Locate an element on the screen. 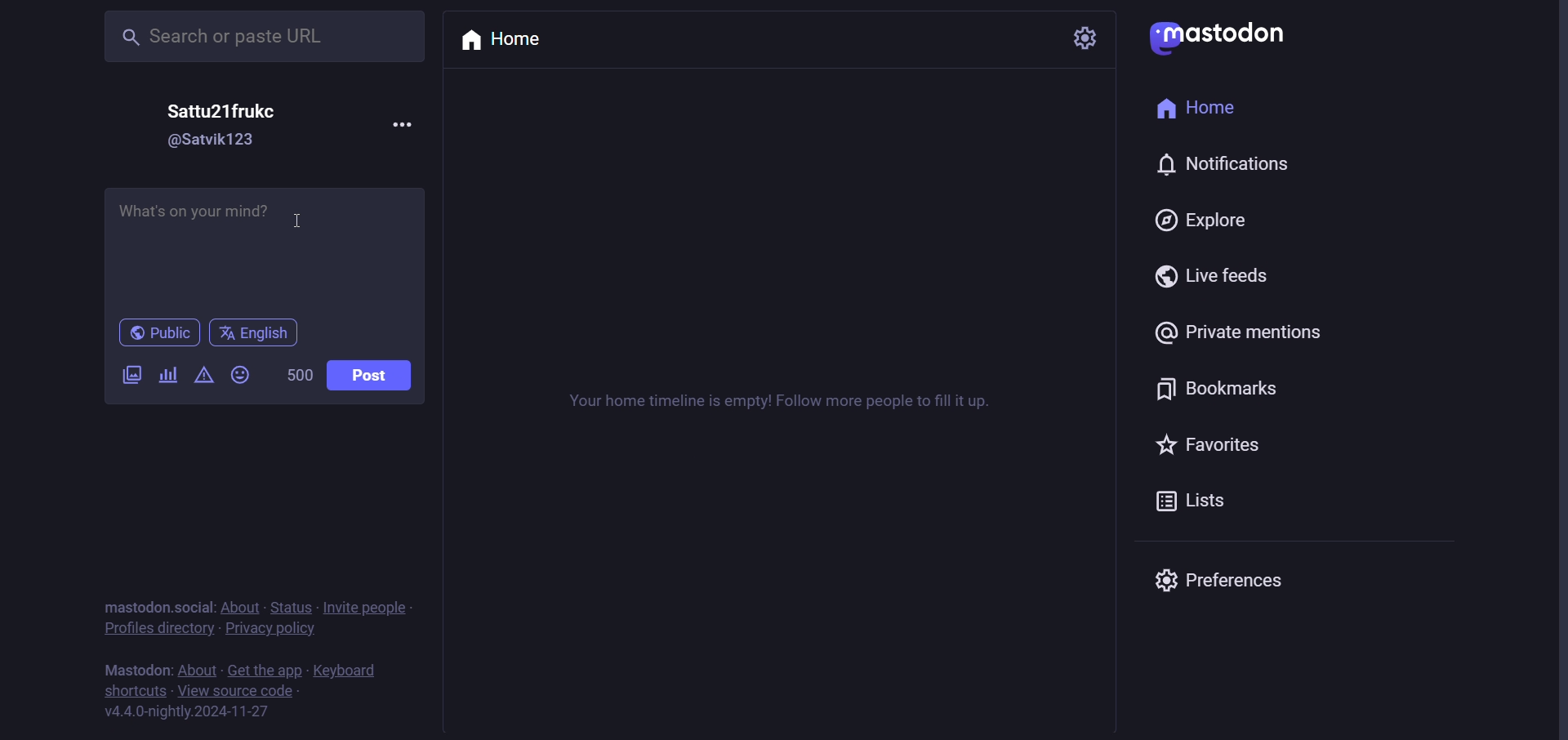 This screenshot has width=1568, height=740. shortcuts is located at coordinates (136, 690).